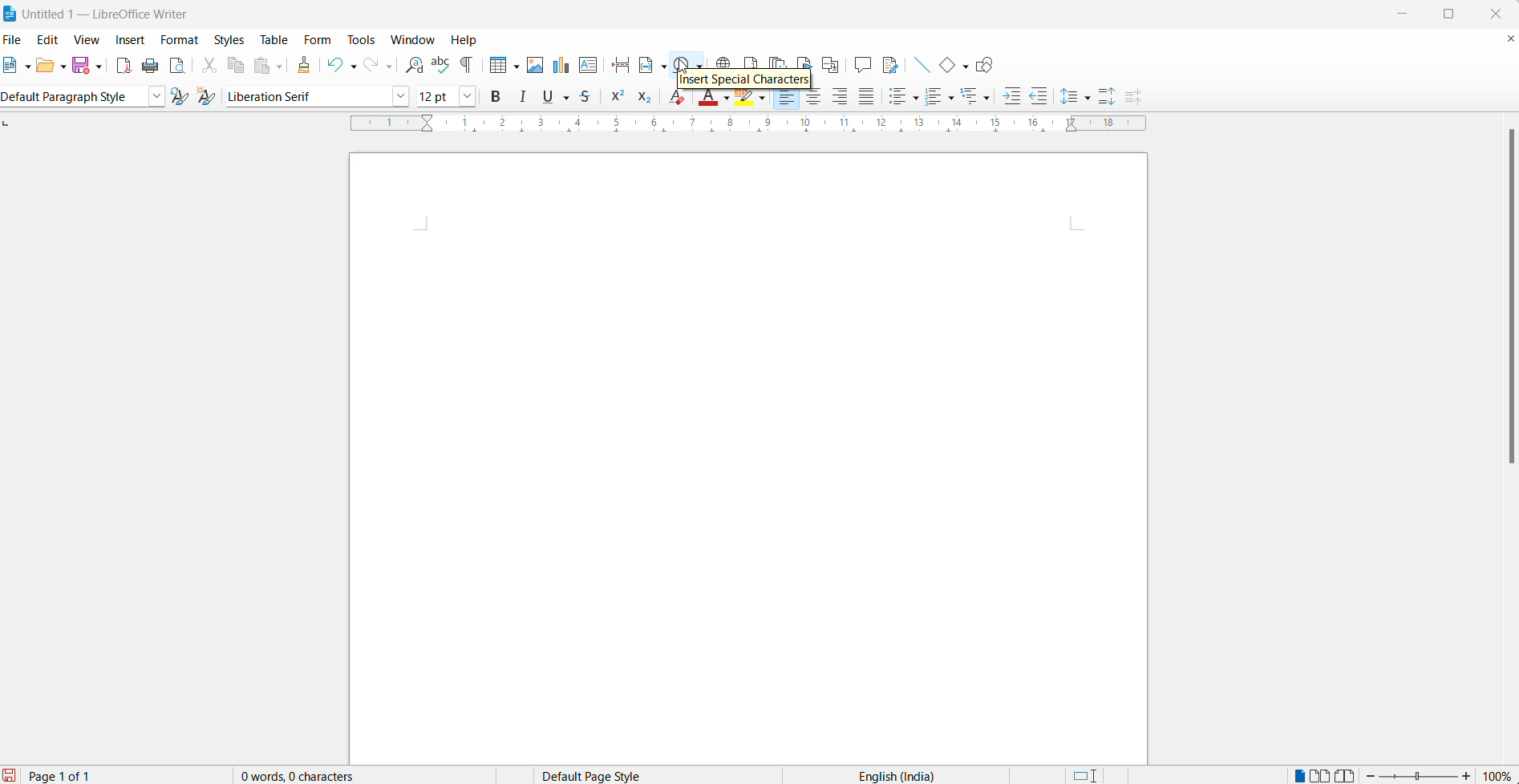 This screenshot has height=784, width=1519. Describe the element at coordinates (967, 66) in the screenshot. I see `basic shapes options` at that location.